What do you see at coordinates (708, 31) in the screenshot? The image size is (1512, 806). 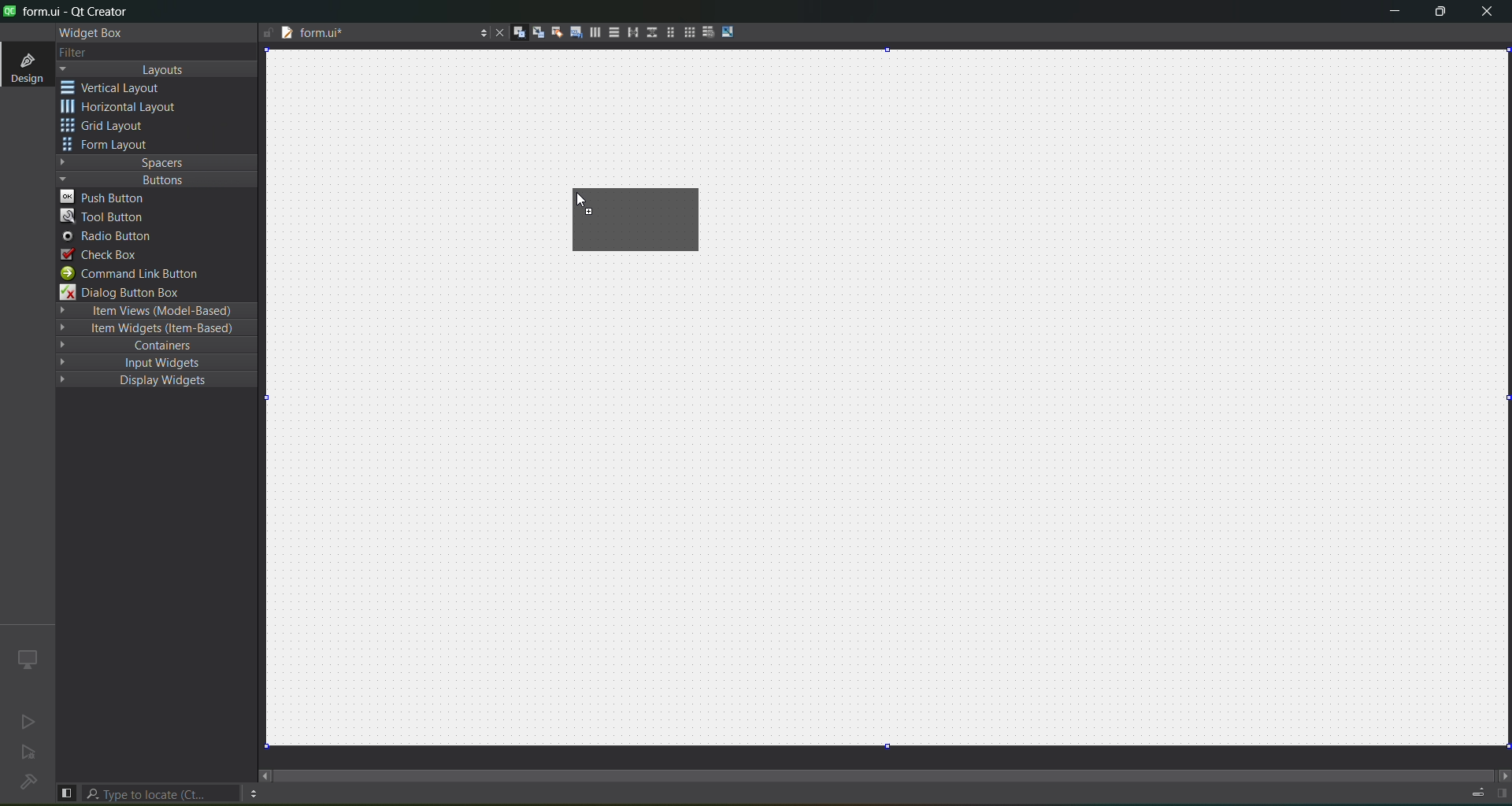 I see `break layout` at bounding box center [708, 31].